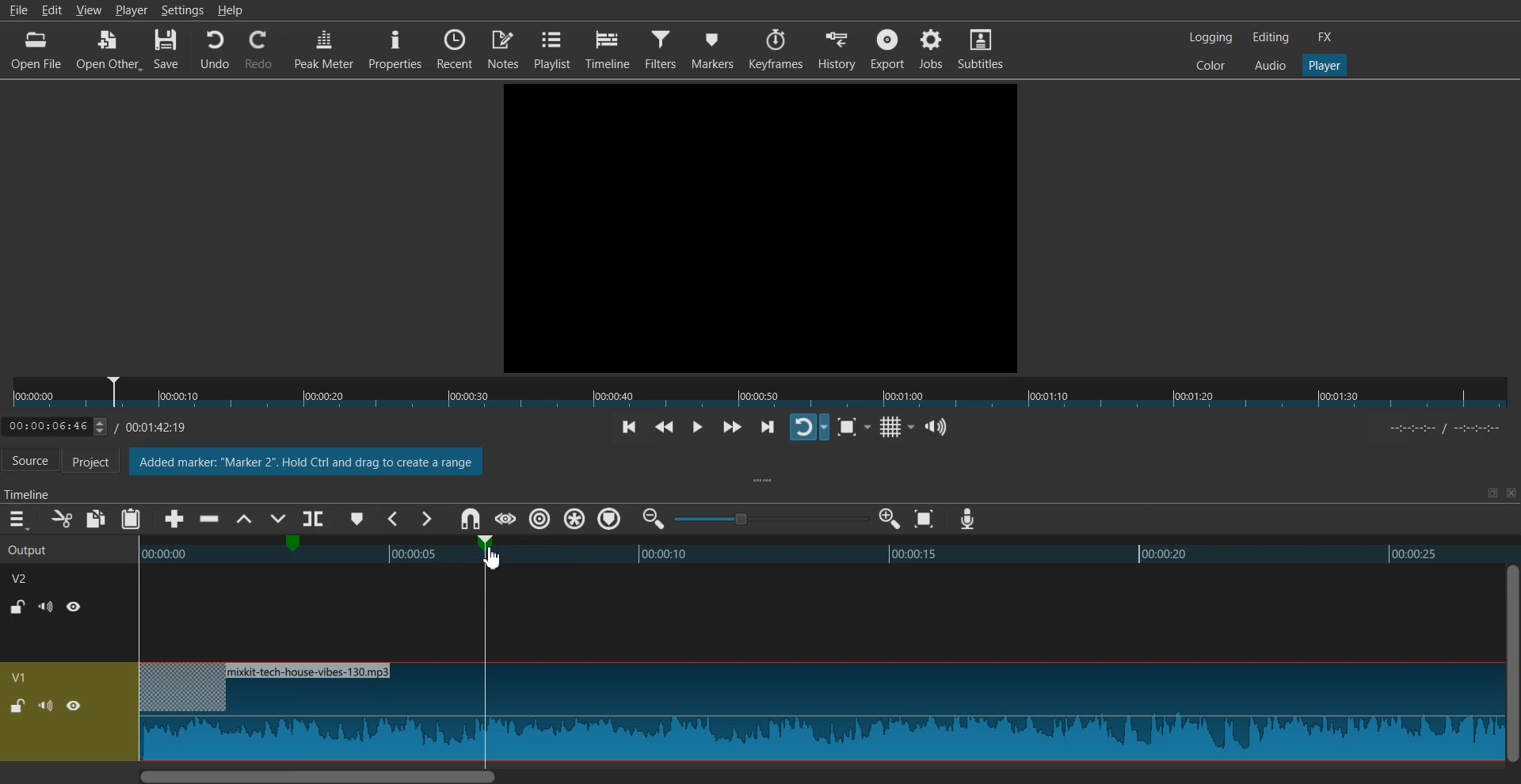 The height and width of the screenshot is (784, 1521). Describe the element at coordinates (259, 50) in the screenshot. I see `Redo` at that location.